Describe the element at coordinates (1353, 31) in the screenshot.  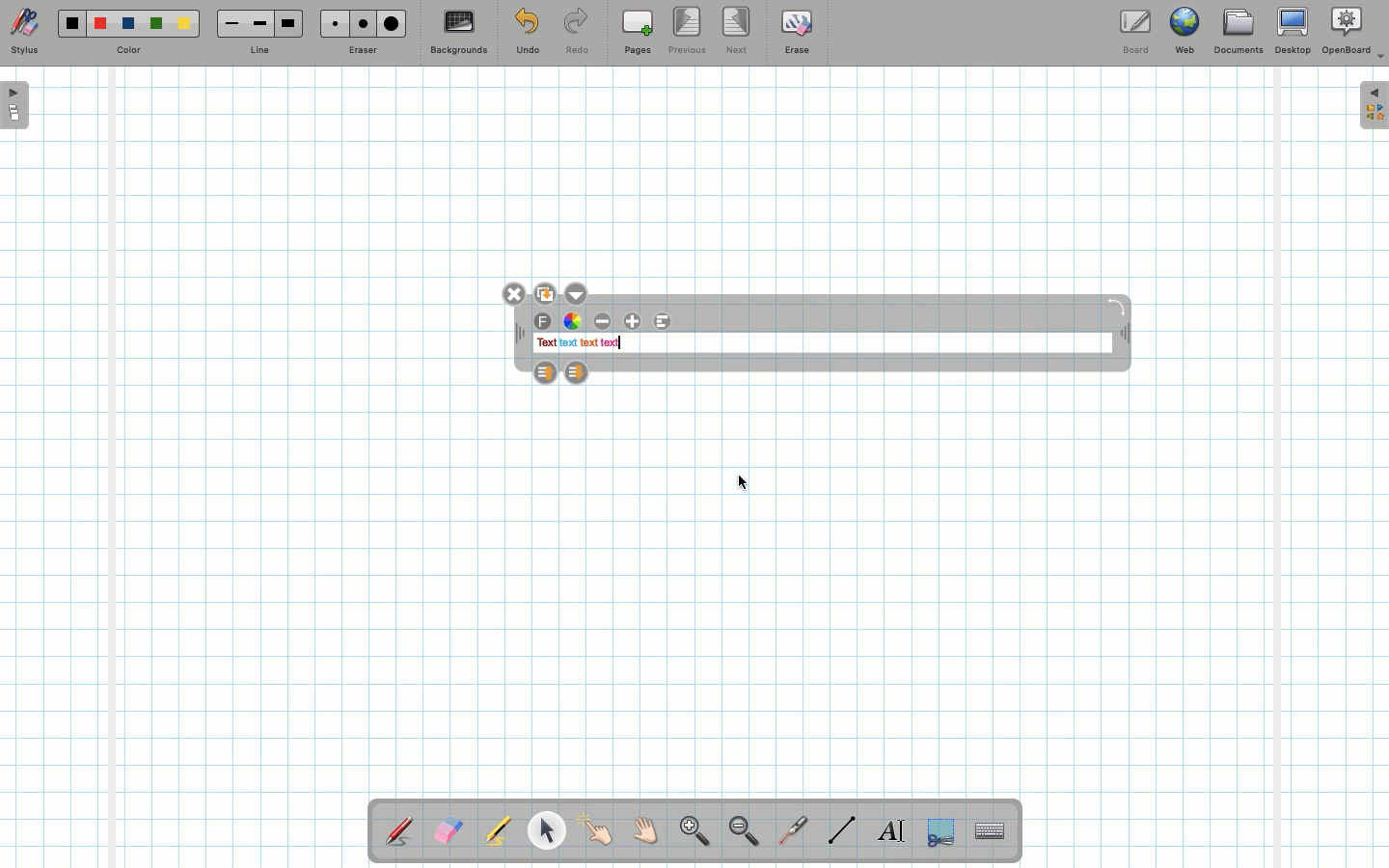
I see `OpenBoard` at that location.